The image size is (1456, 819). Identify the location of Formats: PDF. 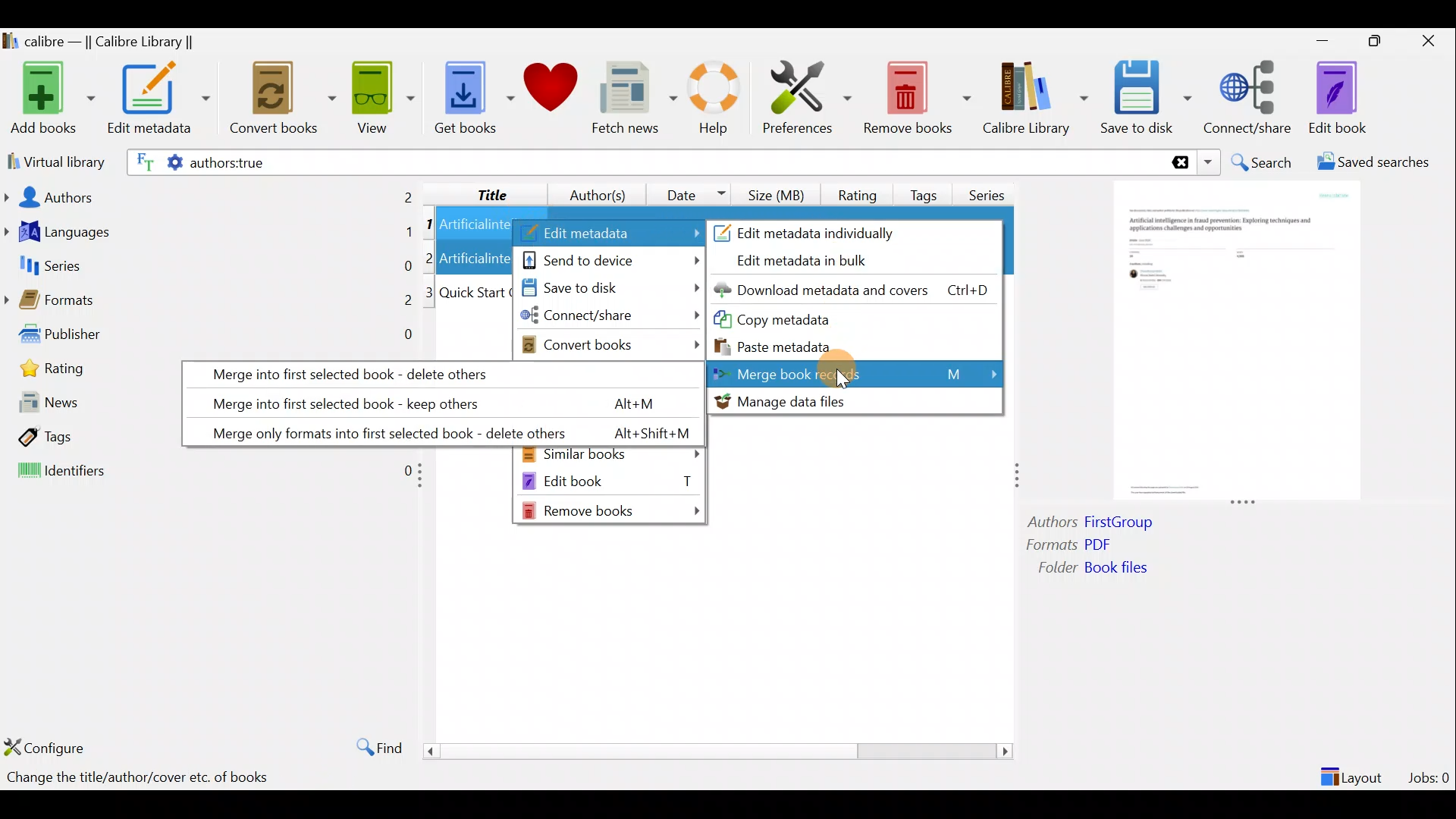
(1090, 547).